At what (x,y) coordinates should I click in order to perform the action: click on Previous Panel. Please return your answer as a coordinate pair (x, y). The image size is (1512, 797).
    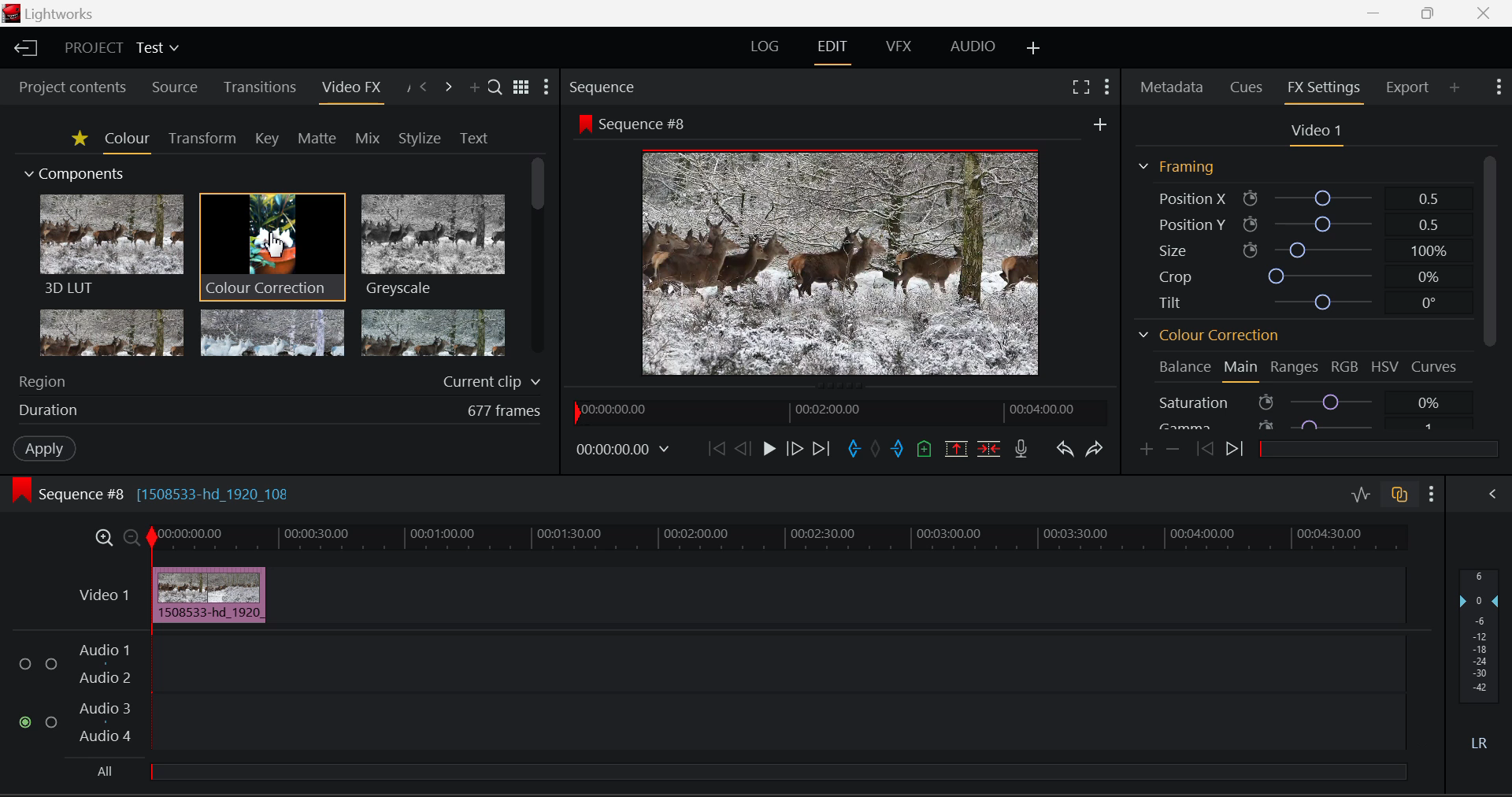
    Looking at the image, I should click on (424, 86).